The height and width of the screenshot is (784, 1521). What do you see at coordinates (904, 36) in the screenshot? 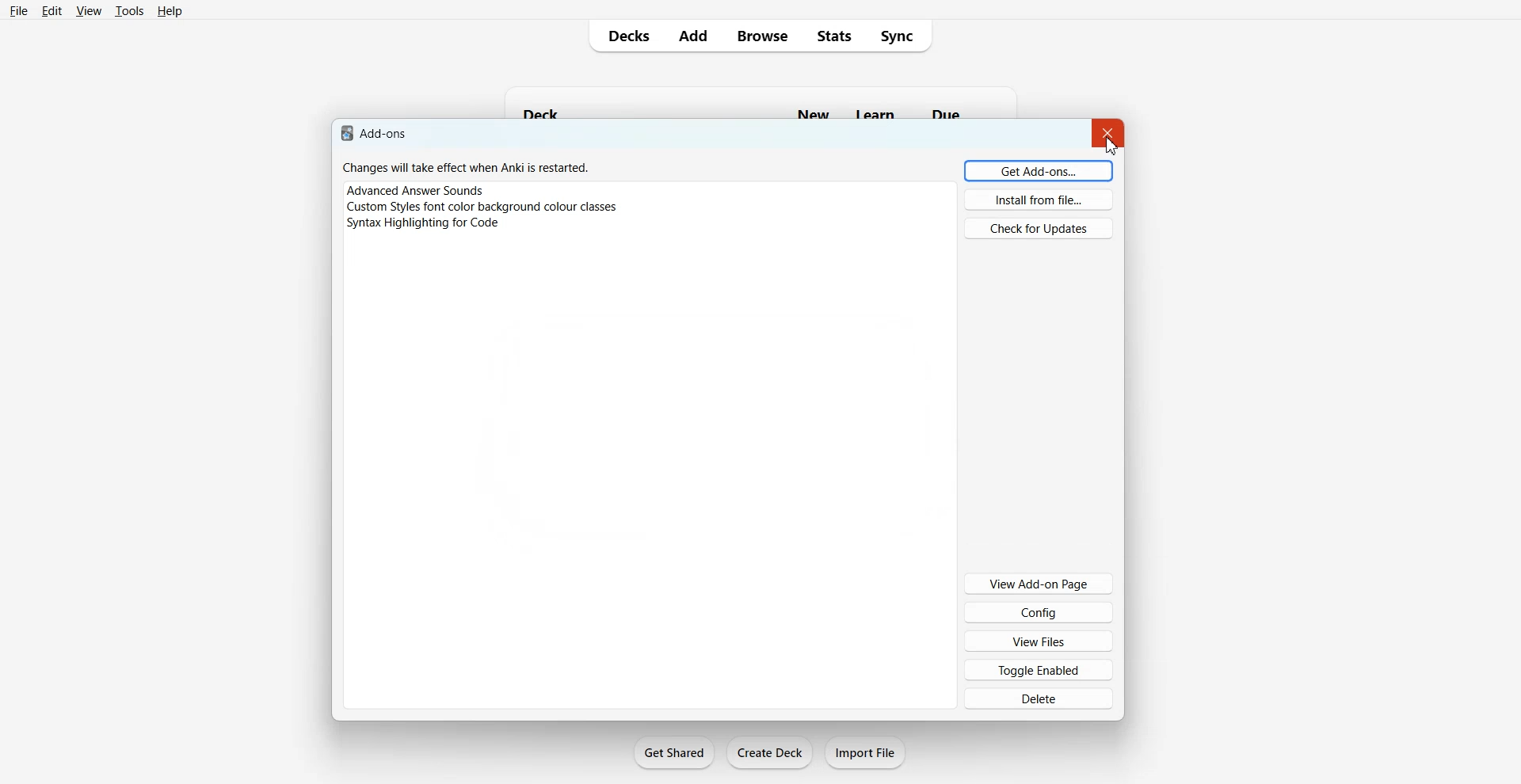
I see `Sync` at bounding box center [904, 36].